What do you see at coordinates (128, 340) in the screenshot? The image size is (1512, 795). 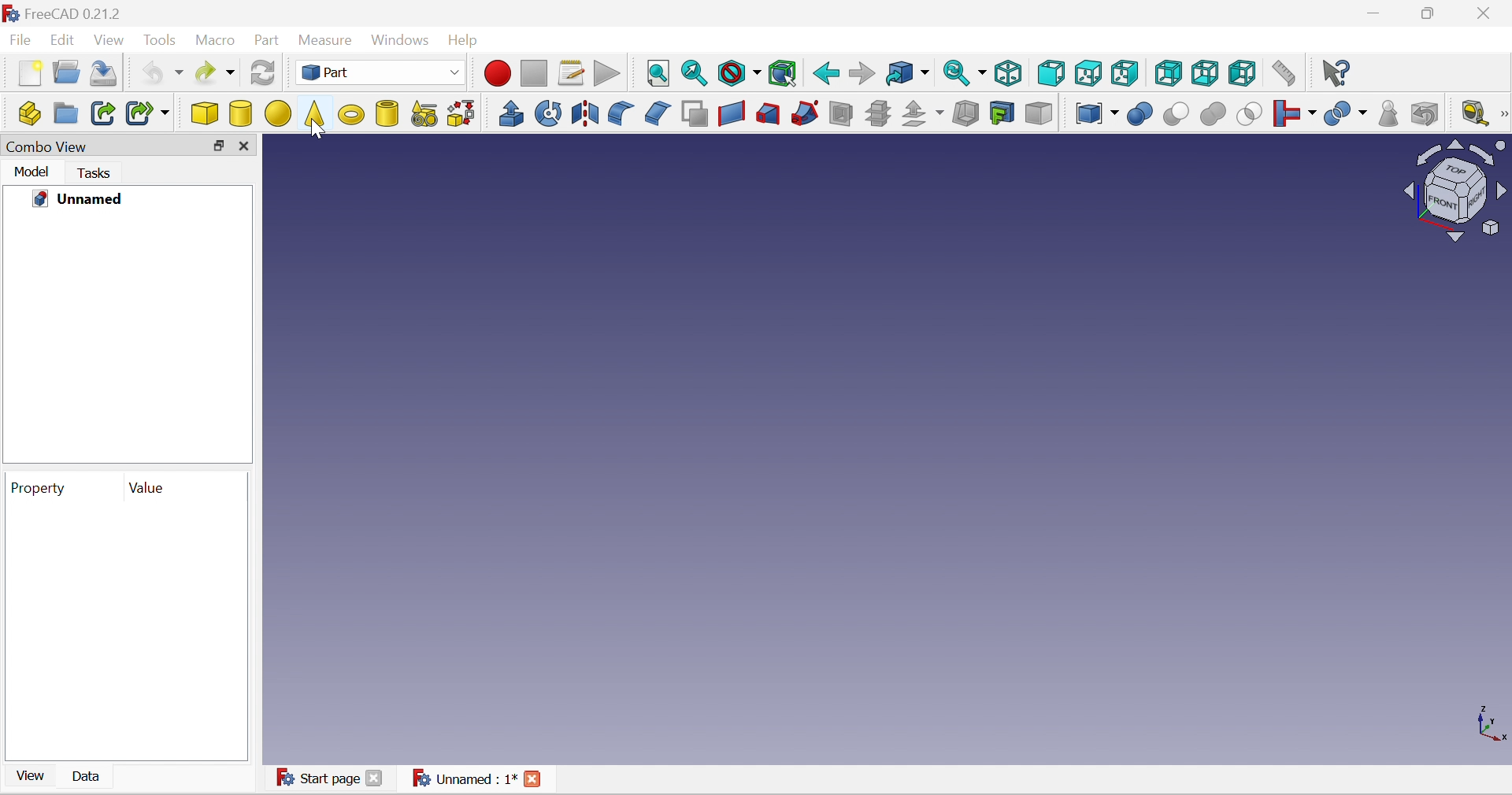 I see `preview` at bounding box center [128, 340].